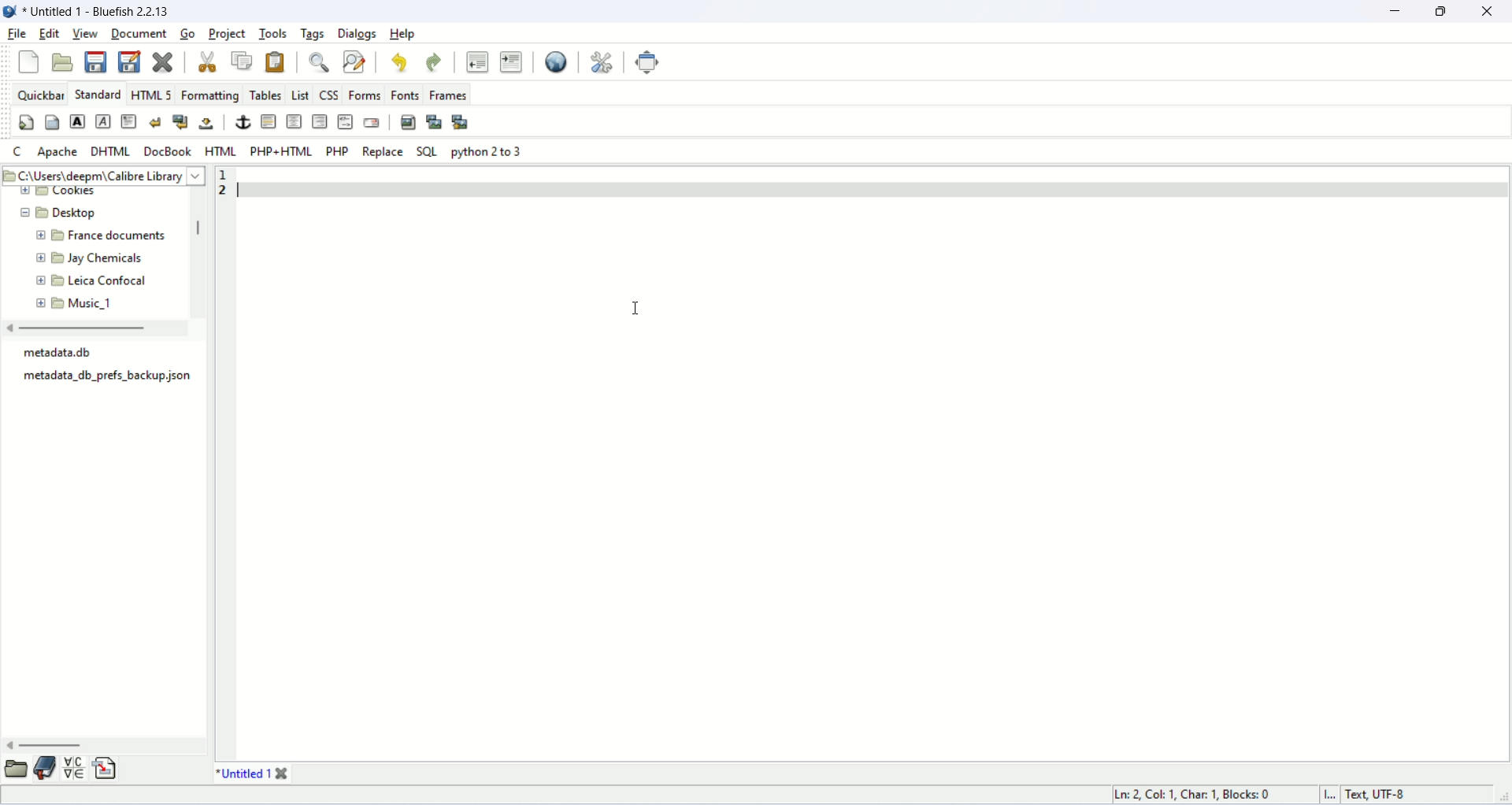  Describe the element at coordinates (78, 121) in the screenshot. I see `strong` at that location.